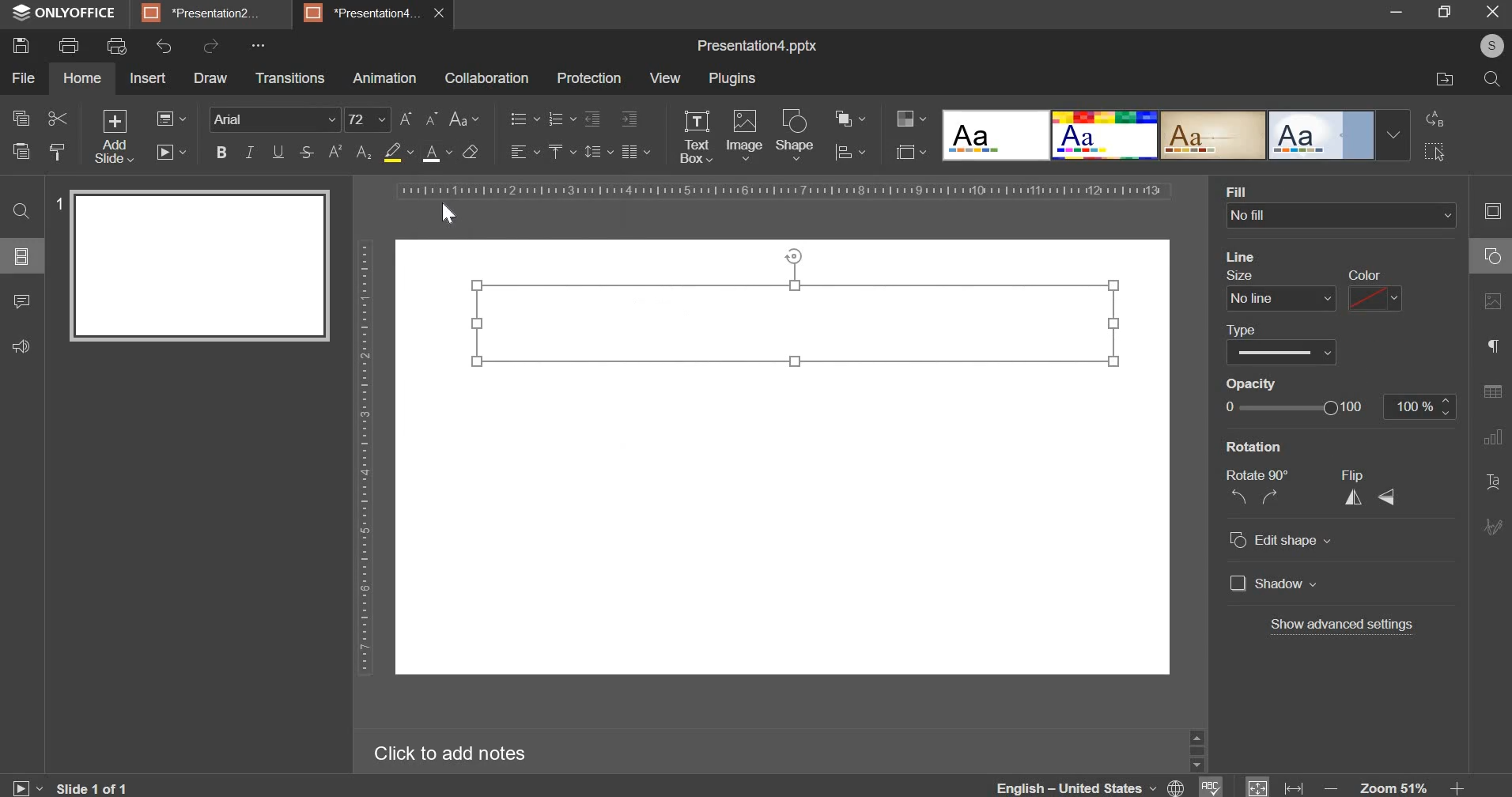  What do you see at coordinates (365, 458) in the screenshot?
I see `vertical scale` at bounding box center [365, 458].